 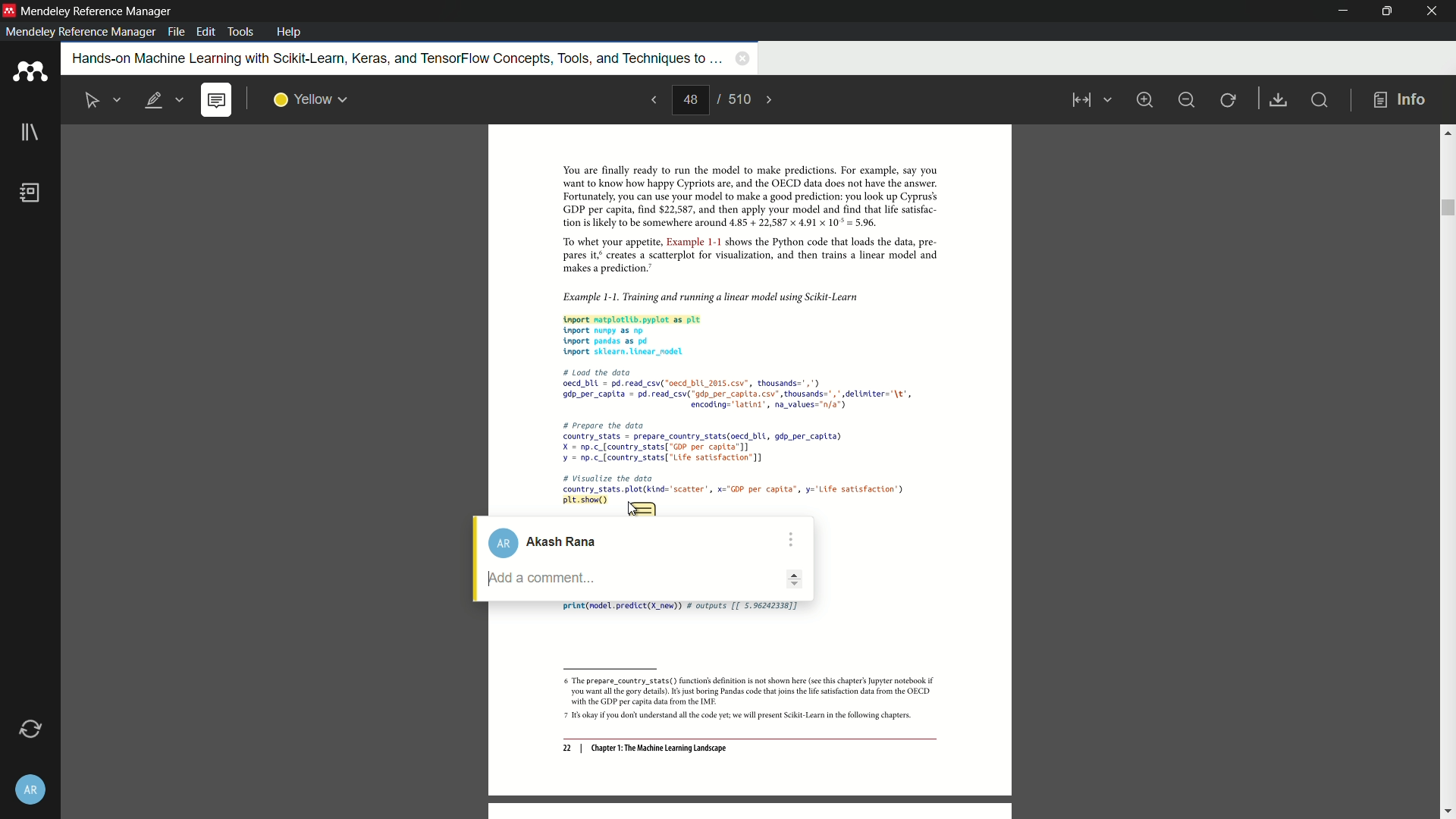 I want to click on more actions, so click(x=789, y=540).